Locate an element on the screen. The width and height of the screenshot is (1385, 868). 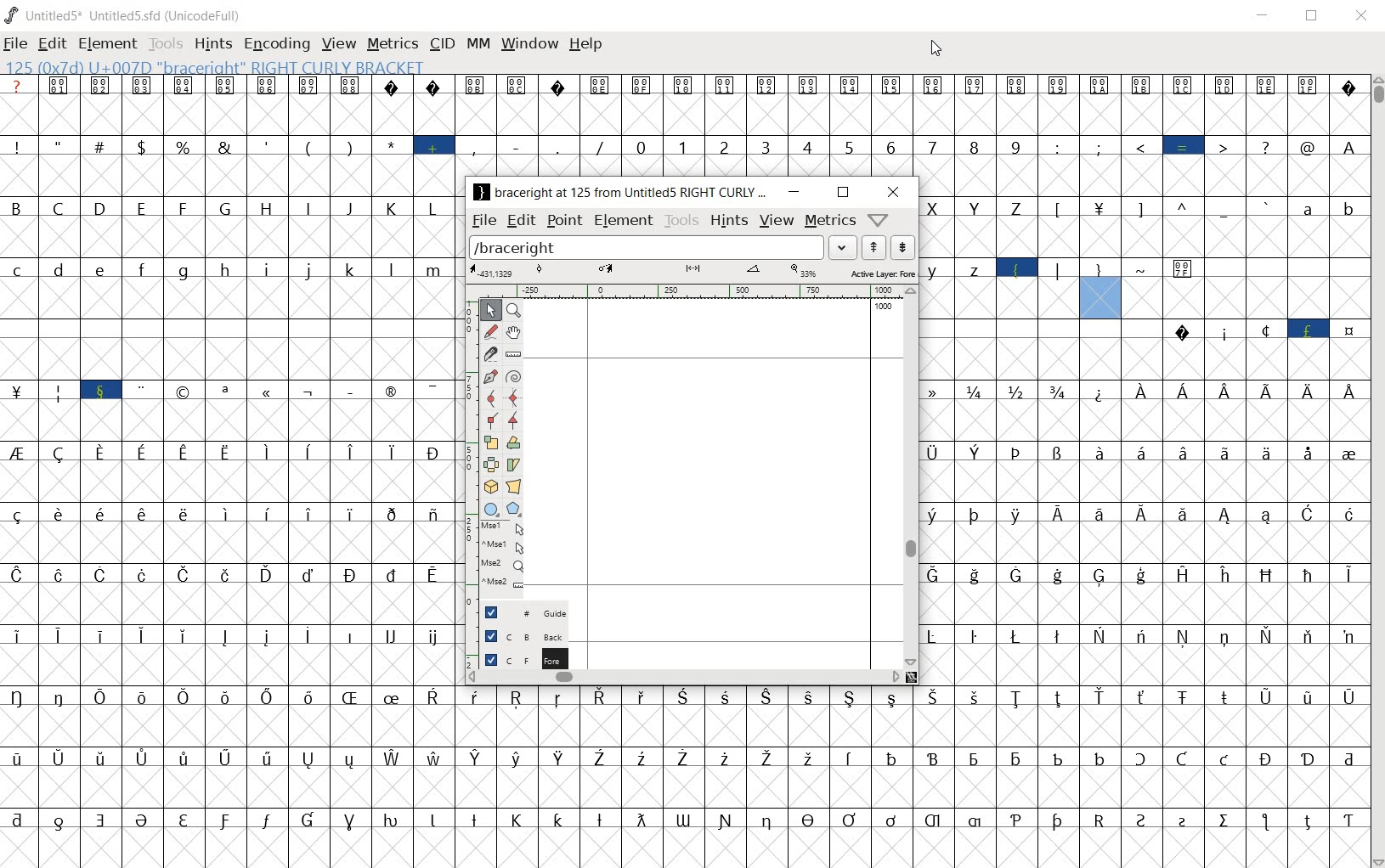
tools is located at coordinates (680, 220).